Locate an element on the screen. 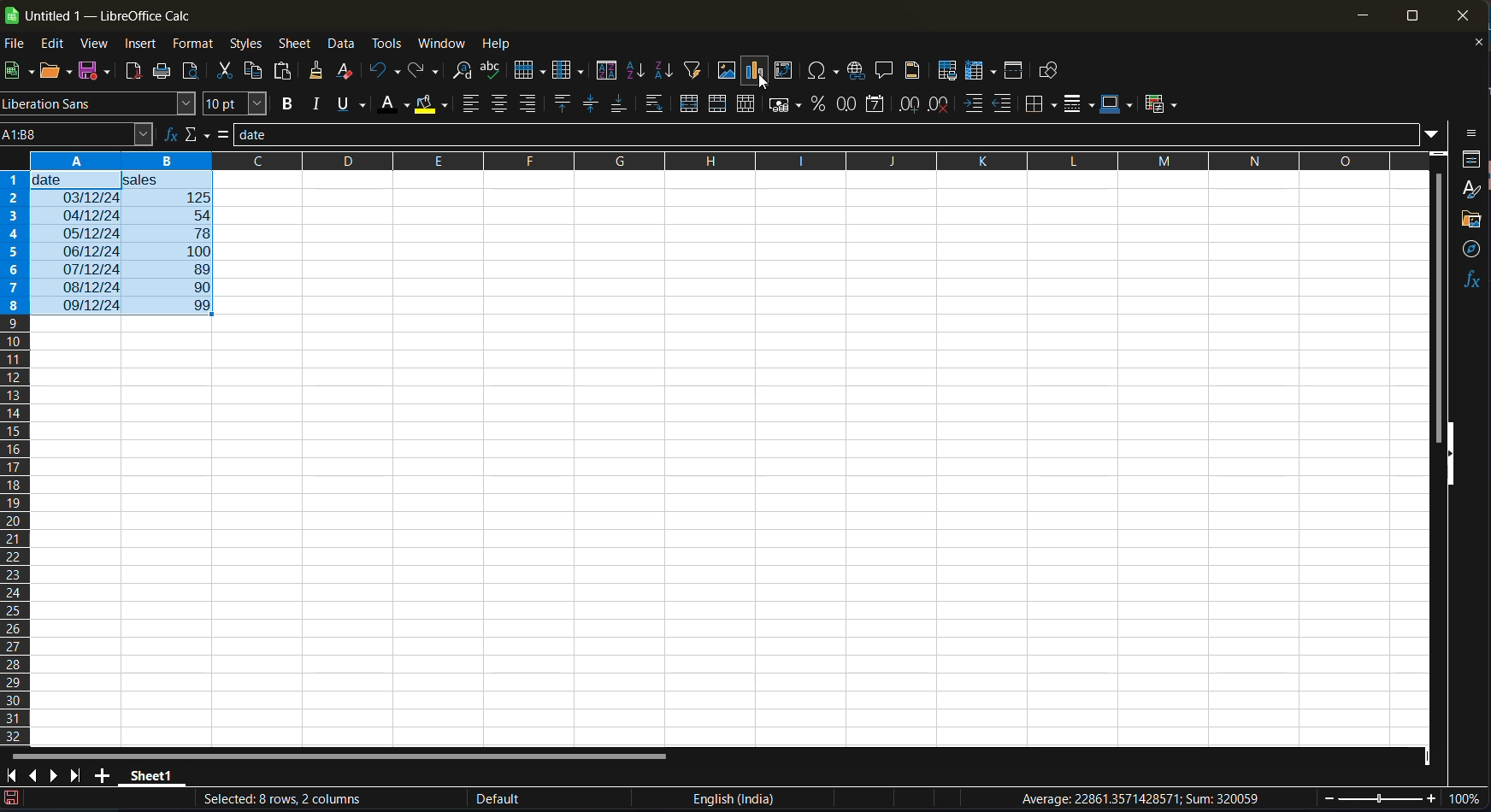 This screenshot has width=1491, height=812. insert or edit pivot table is located at coordinates (783, 71).